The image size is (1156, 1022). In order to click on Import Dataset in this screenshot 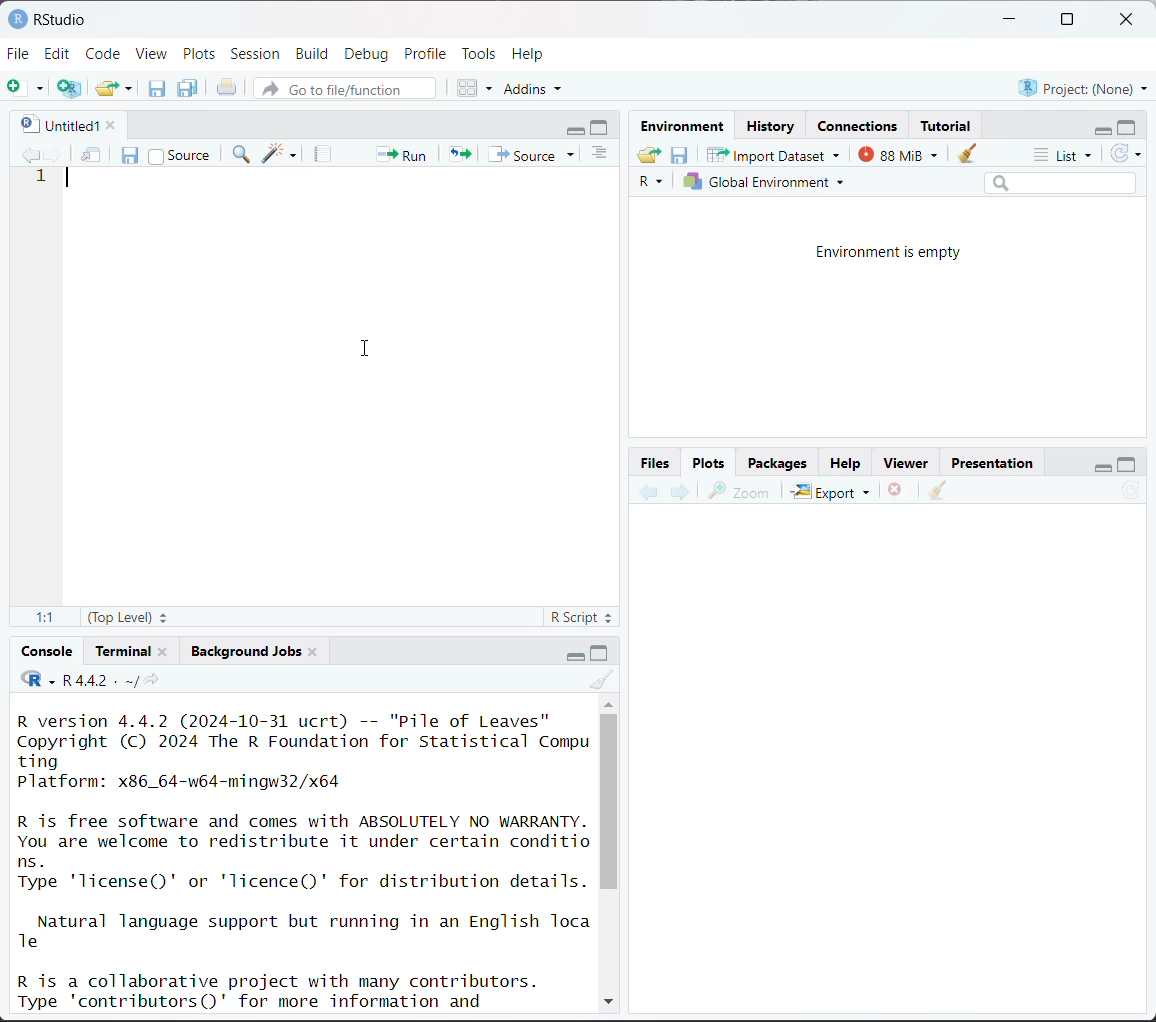, I will do `click(774, 154)`.